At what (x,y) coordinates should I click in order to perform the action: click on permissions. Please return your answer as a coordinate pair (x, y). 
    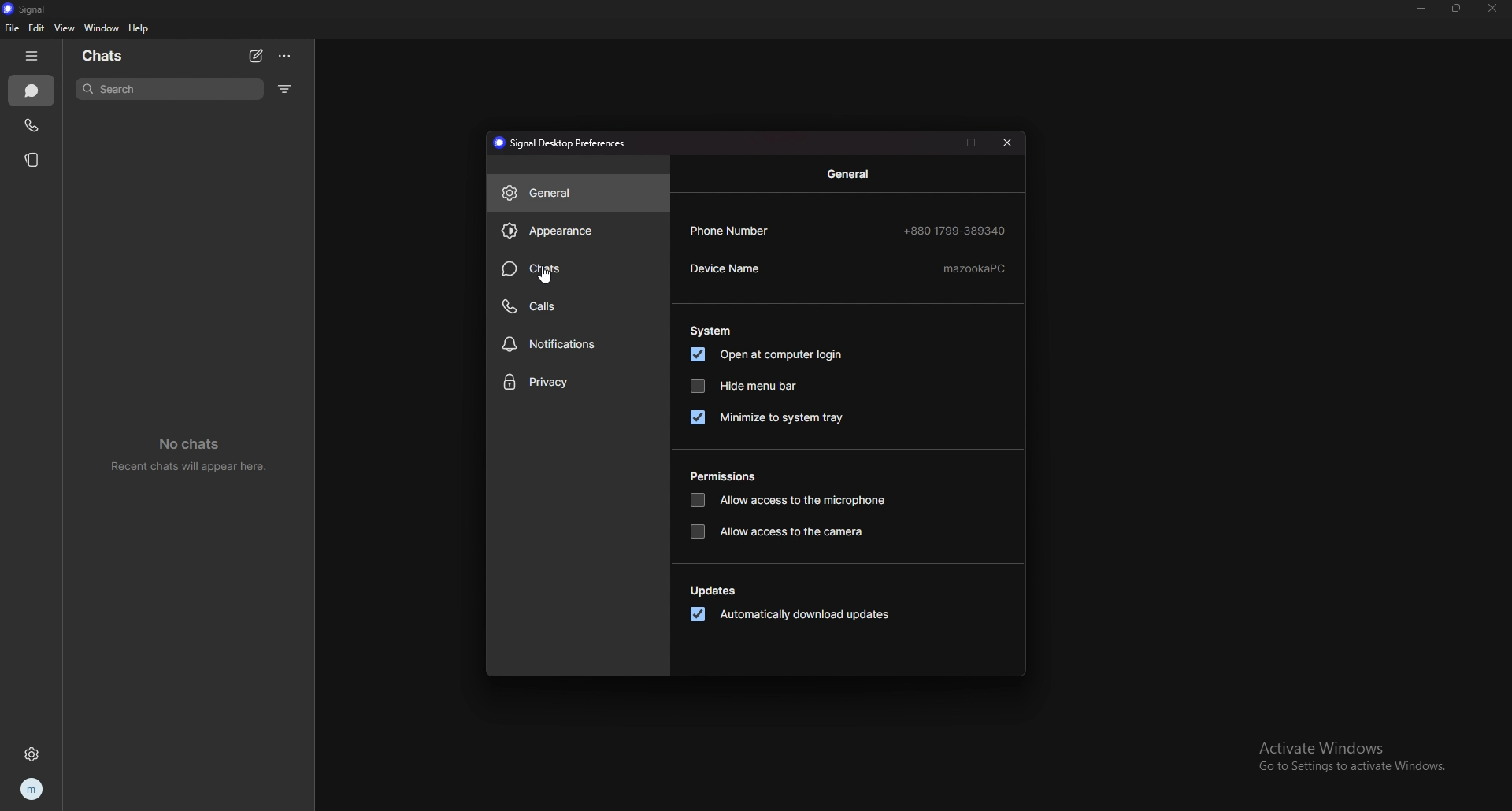
    Looking at the image, I should click on (724, 476).